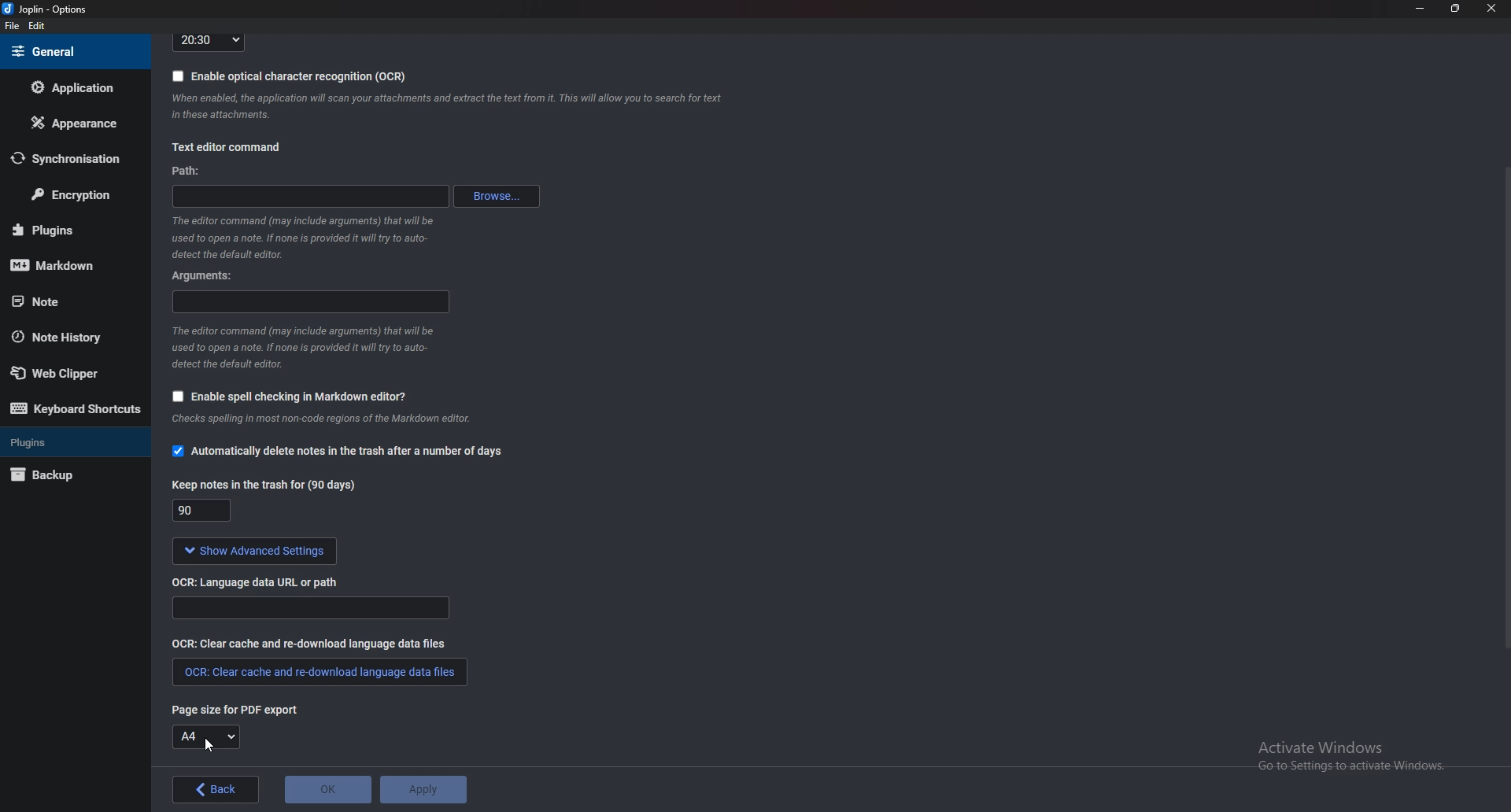 This screenshot has height=812, width=1511. Describe the element at coordinates (422, 790) in the screenshot. I see `Apply` at that location.